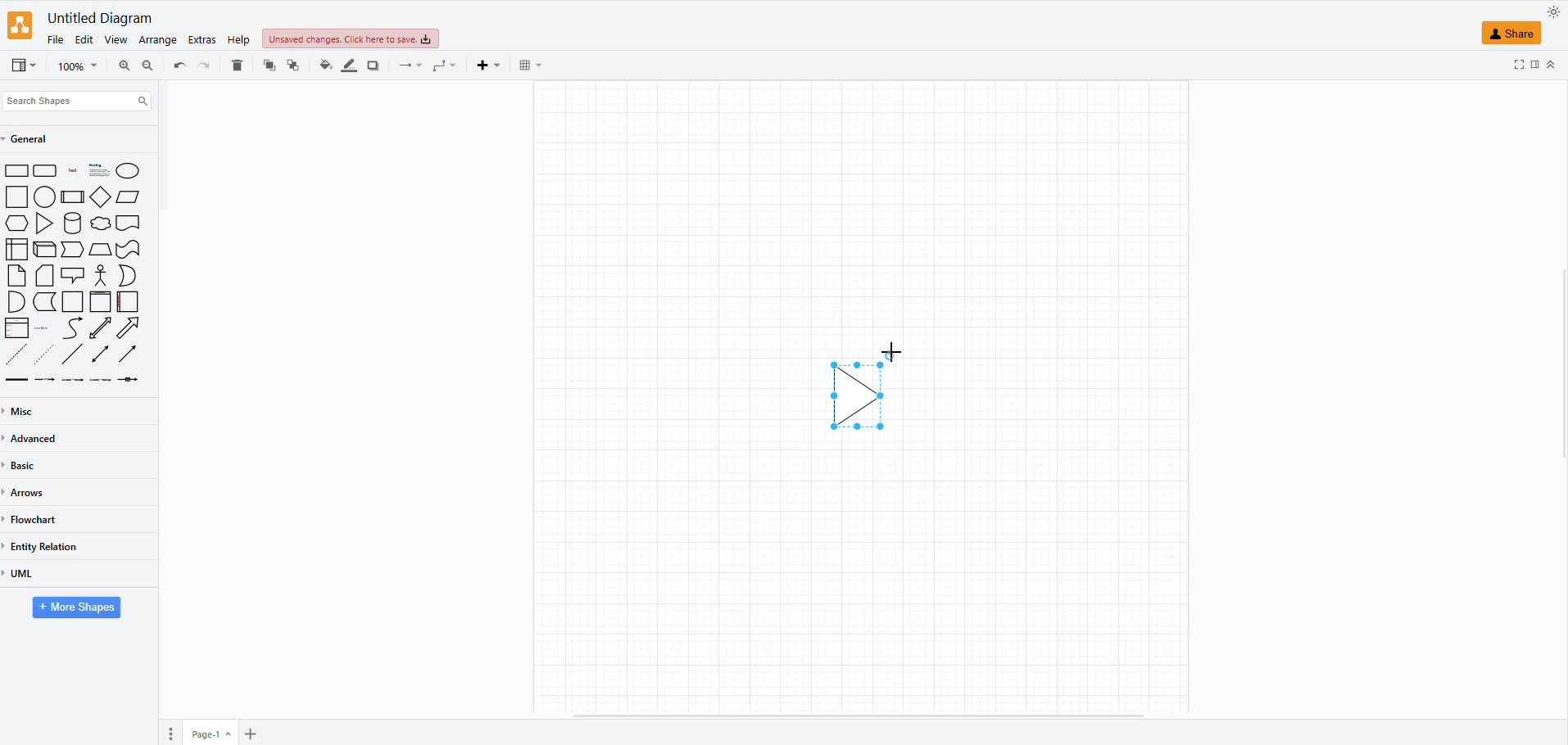  I want to click on to front, so click(294, 63).